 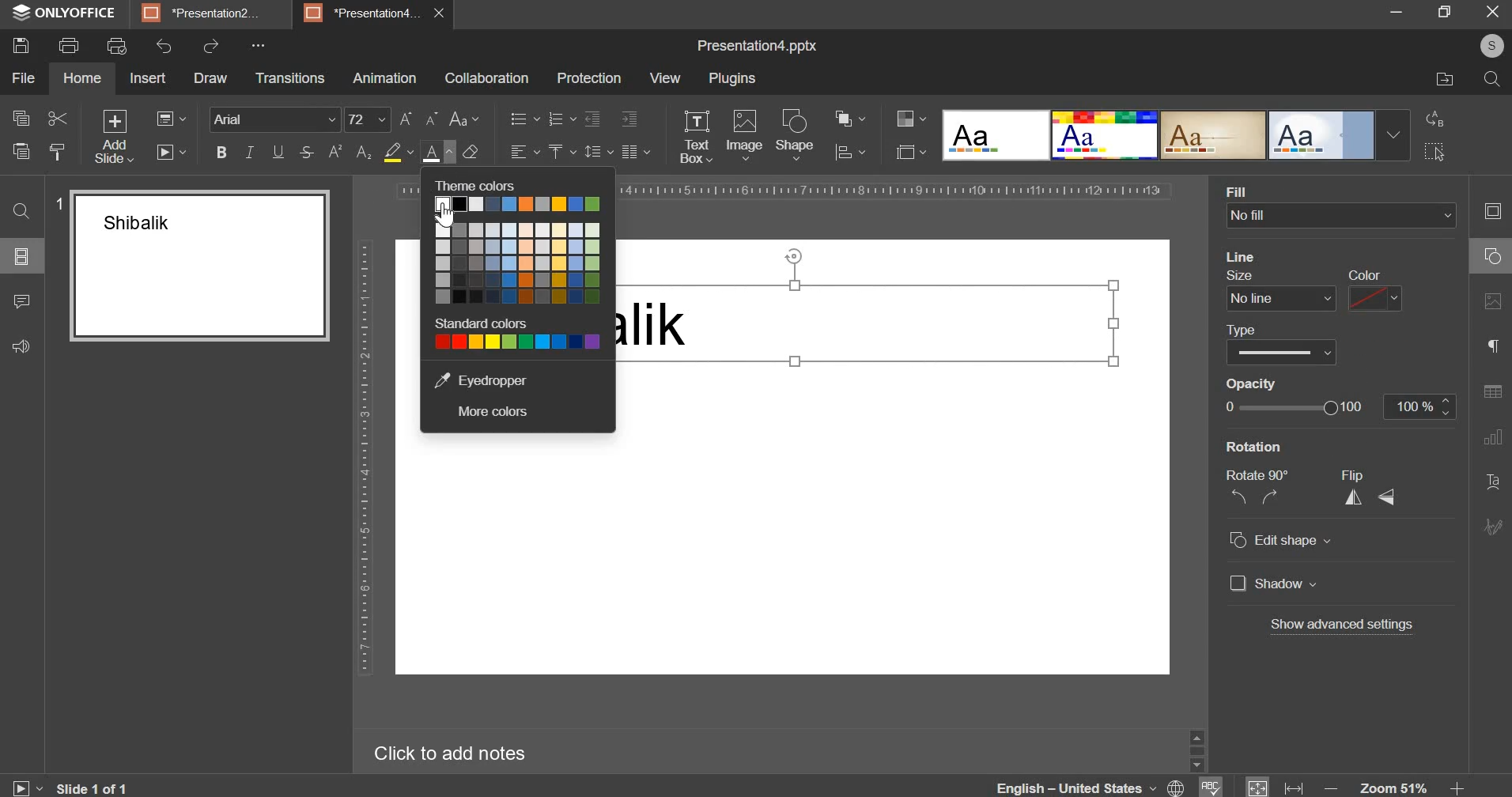 I want to click on commonly used text color options, so click(x=517, y=263).